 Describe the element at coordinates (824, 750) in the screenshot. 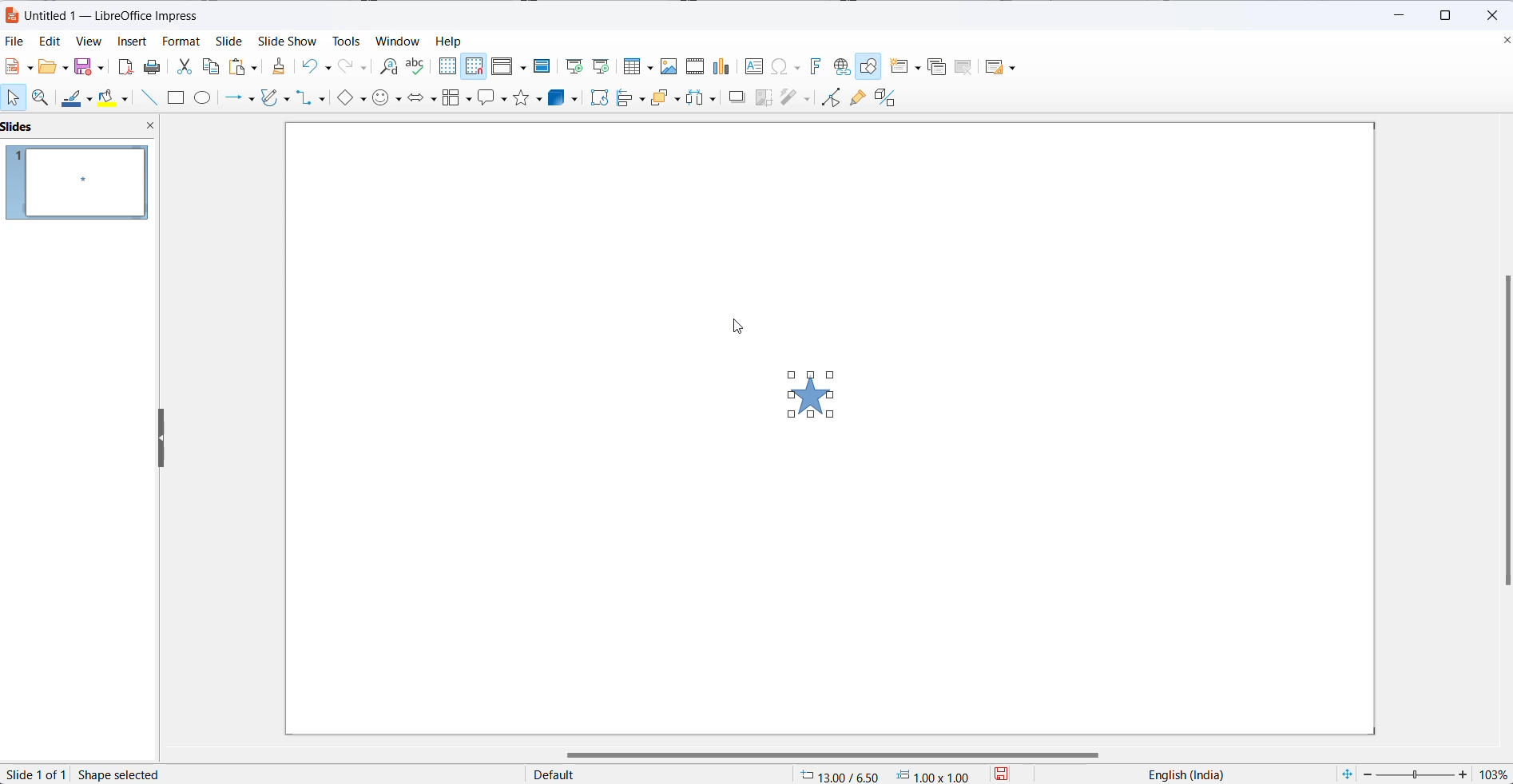

I see `scrollbar` at that location.